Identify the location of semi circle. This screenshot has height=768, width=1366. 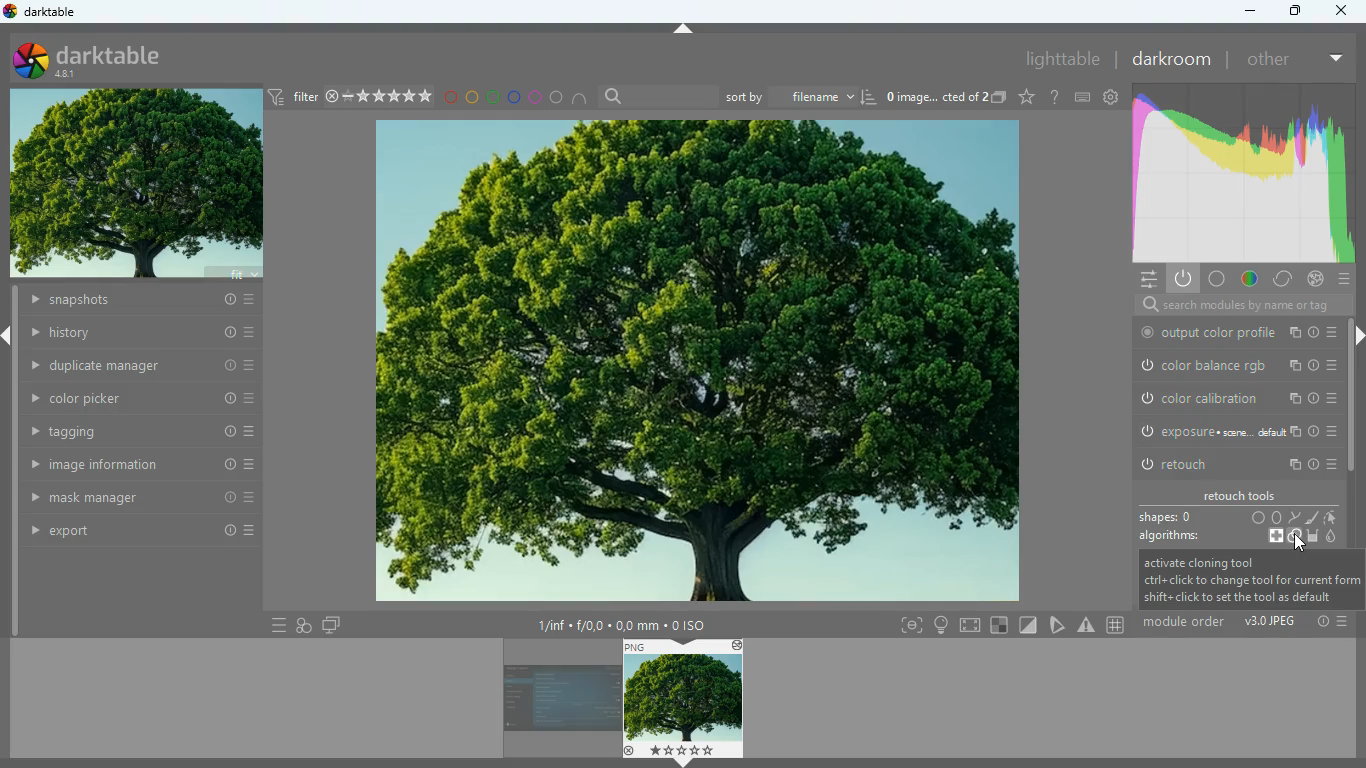
(581, 97).